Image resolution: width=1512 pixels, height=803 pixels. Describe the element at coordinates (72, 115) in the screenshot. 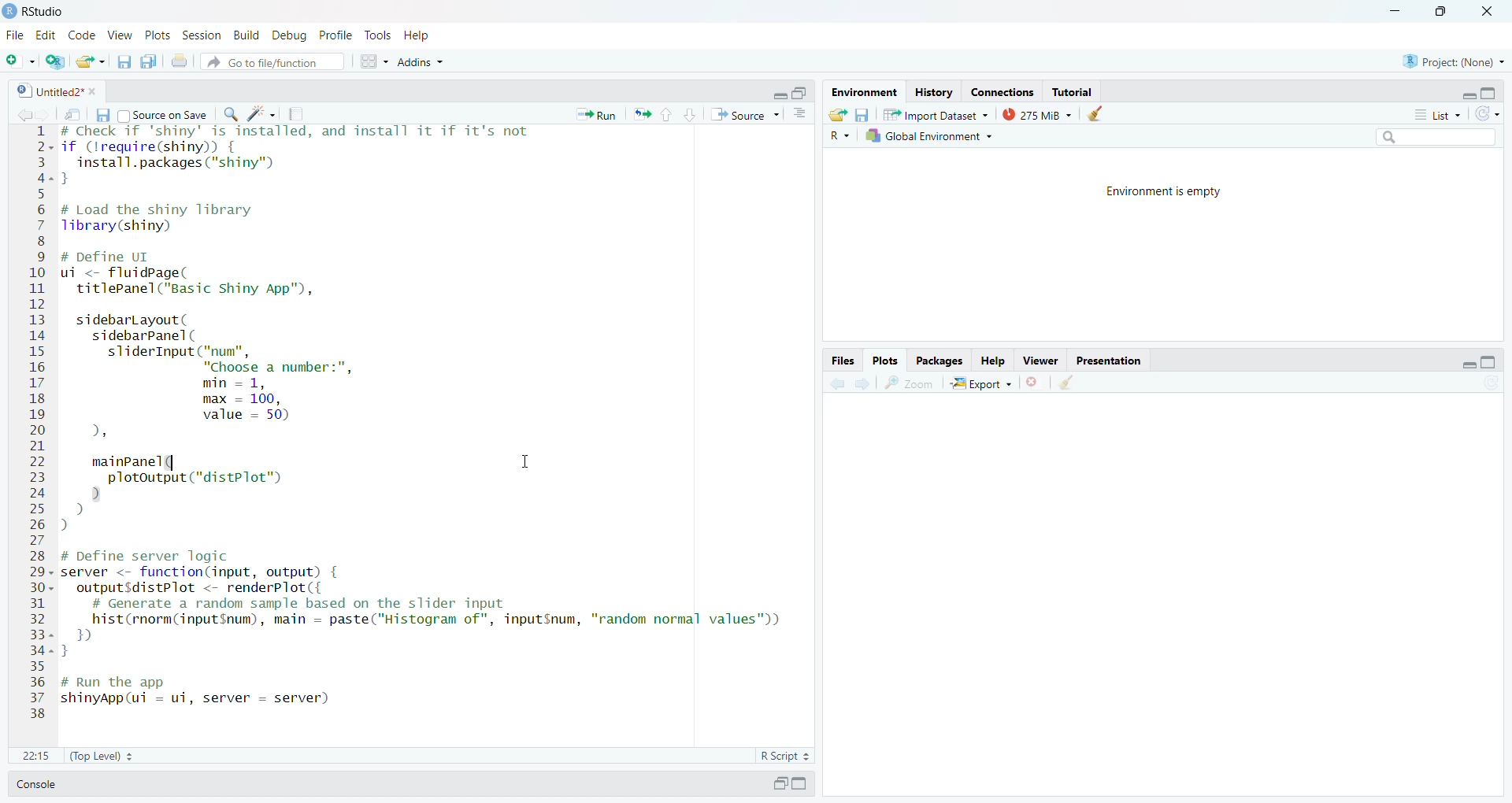

I see `show in new window` at that location.